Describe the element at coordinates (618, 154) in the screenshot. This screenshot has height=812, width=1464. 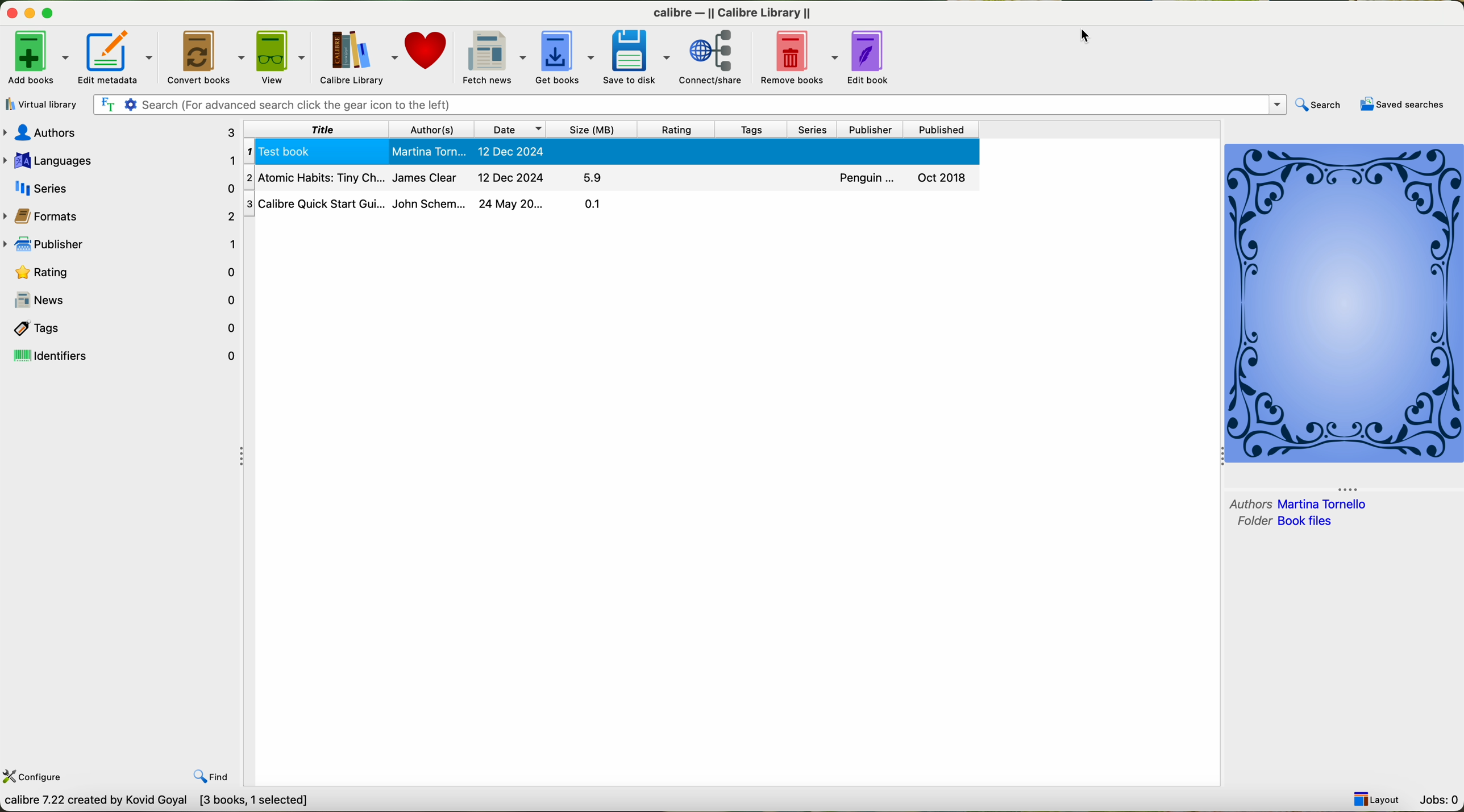
I see `Test book` at that location.